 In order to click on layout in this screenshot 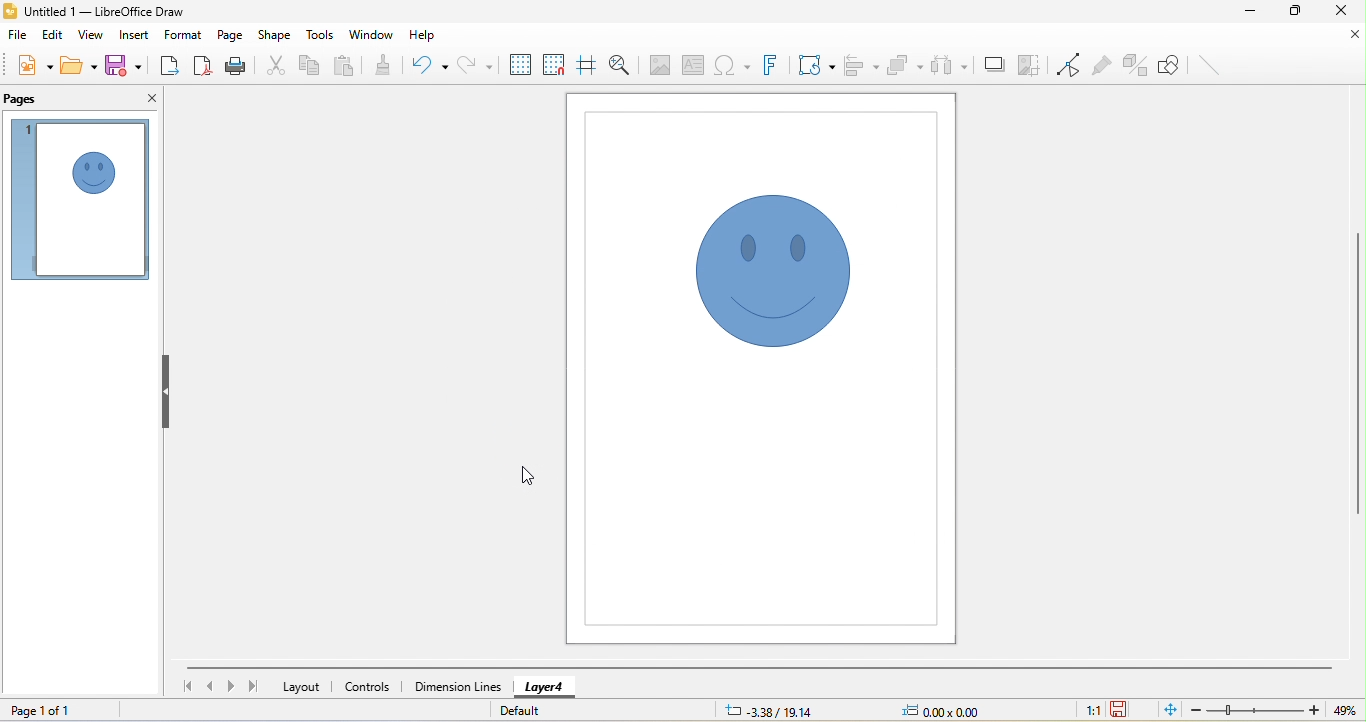, I will do `click(302, 688)`.